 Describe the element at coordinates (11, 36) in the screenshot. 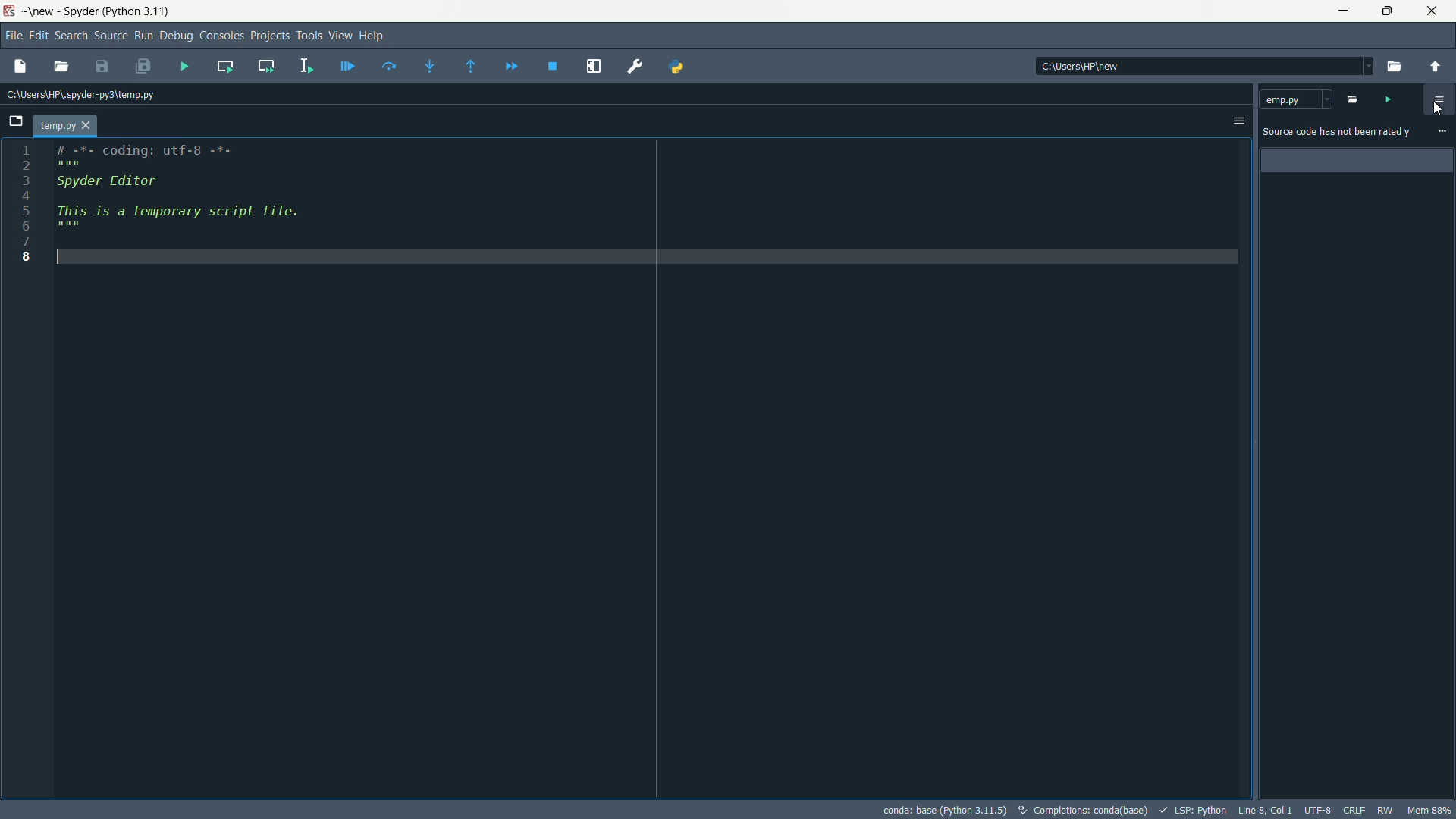

I see `file menu` at that location.